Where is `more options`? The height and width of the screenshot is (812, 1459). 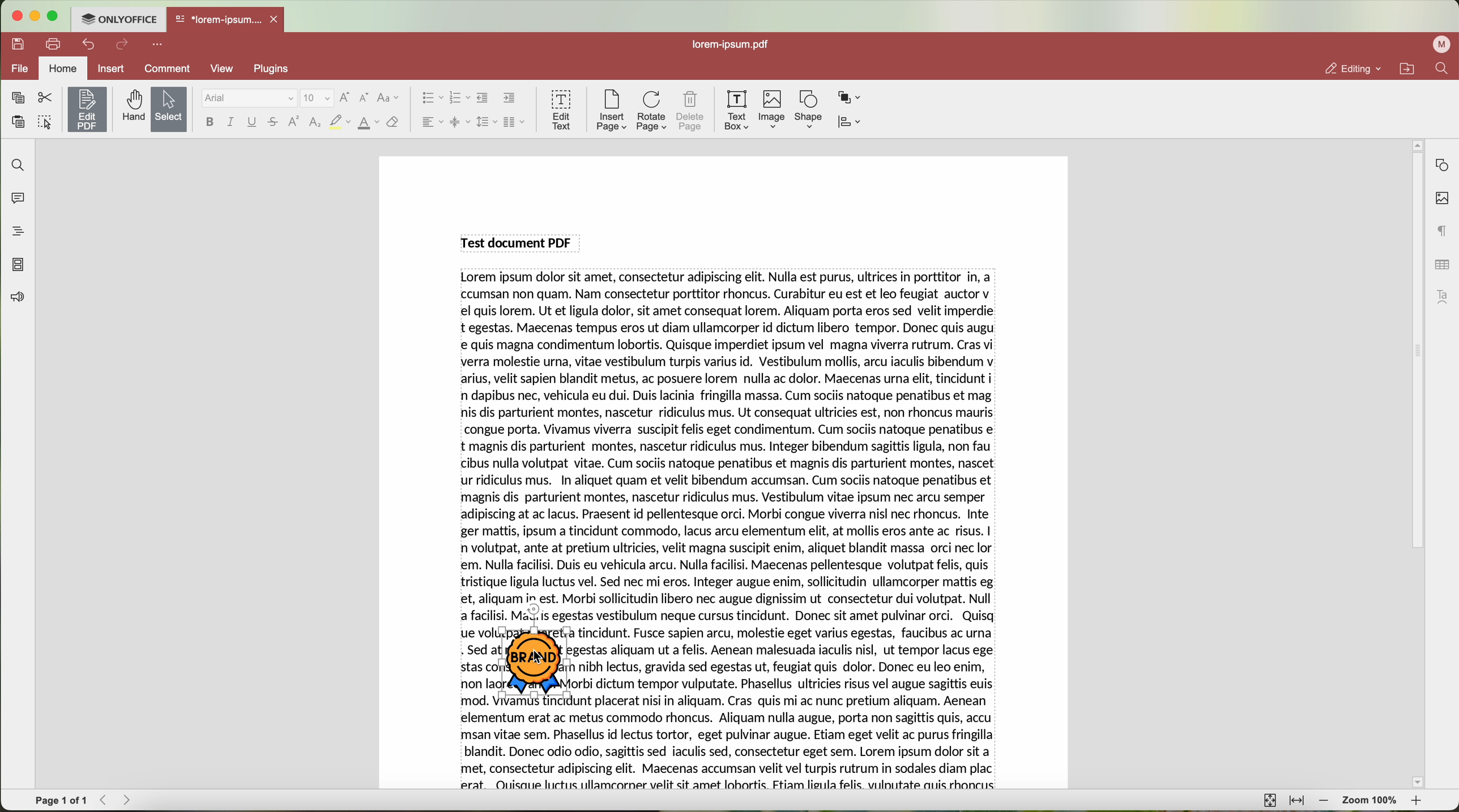 more options is located at coordinates (160, 43).